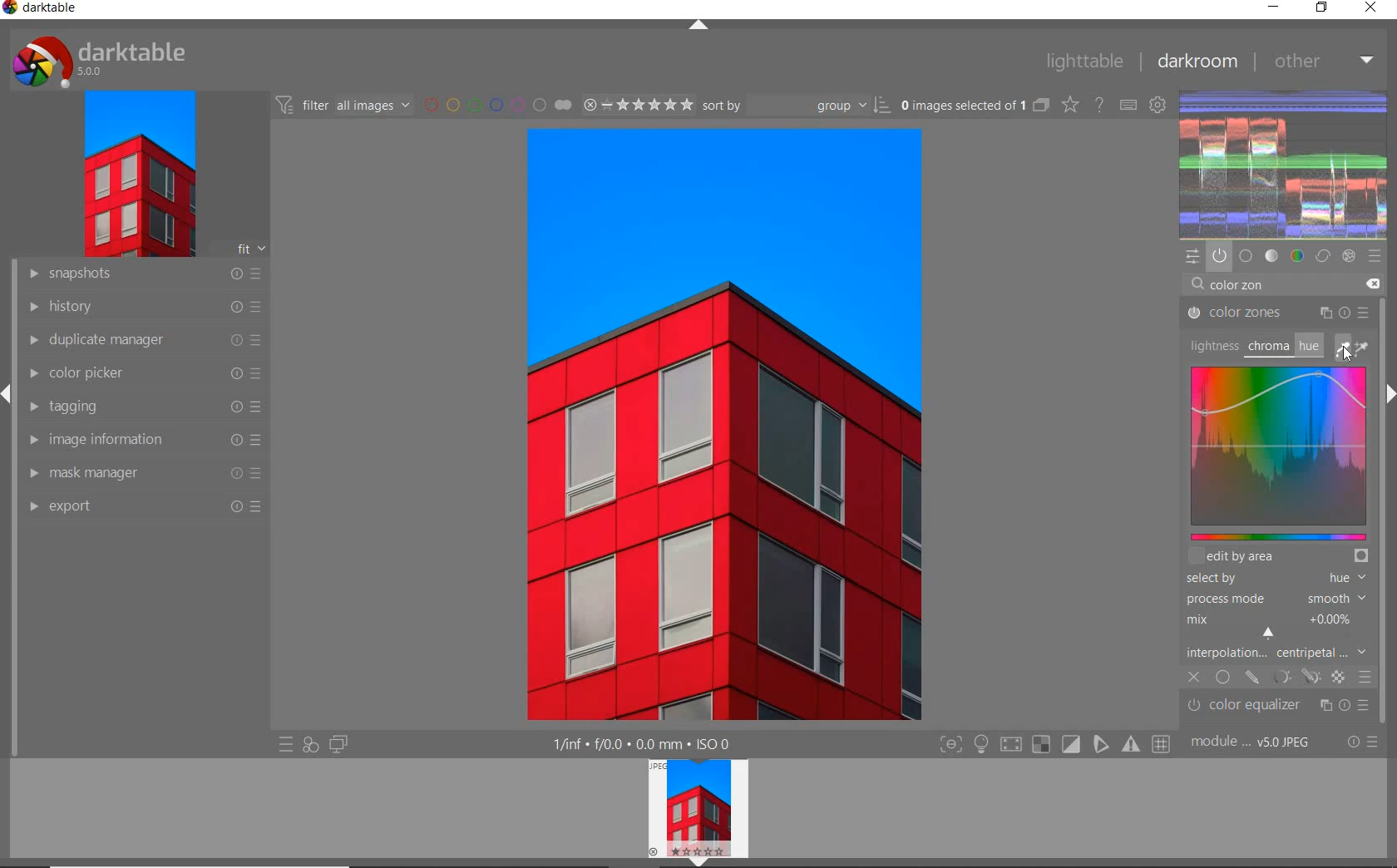  I want to click on base, so click(1246, 254).